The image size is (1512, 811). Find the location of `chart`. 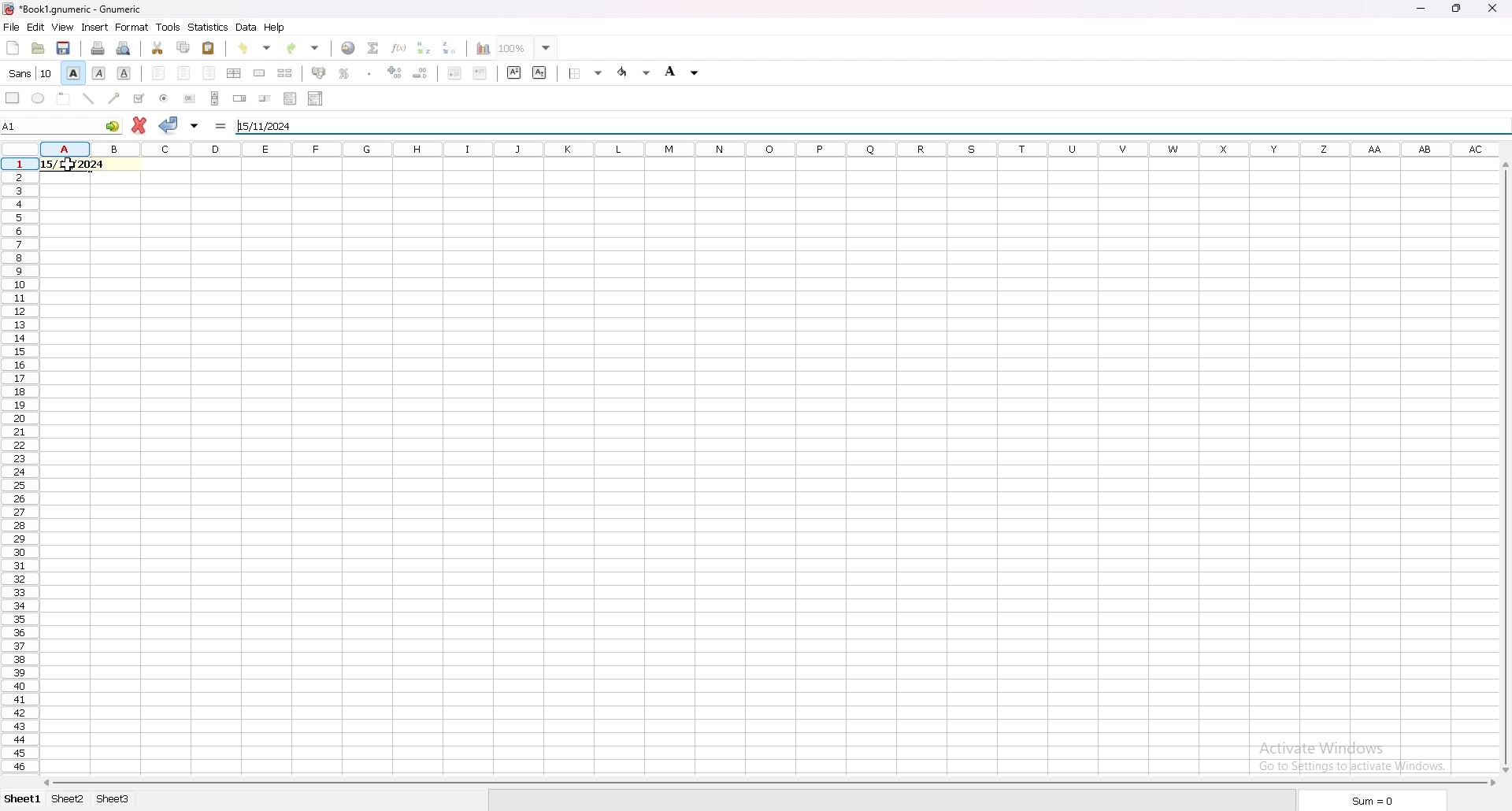

chart is located at coordinates (484, 49).